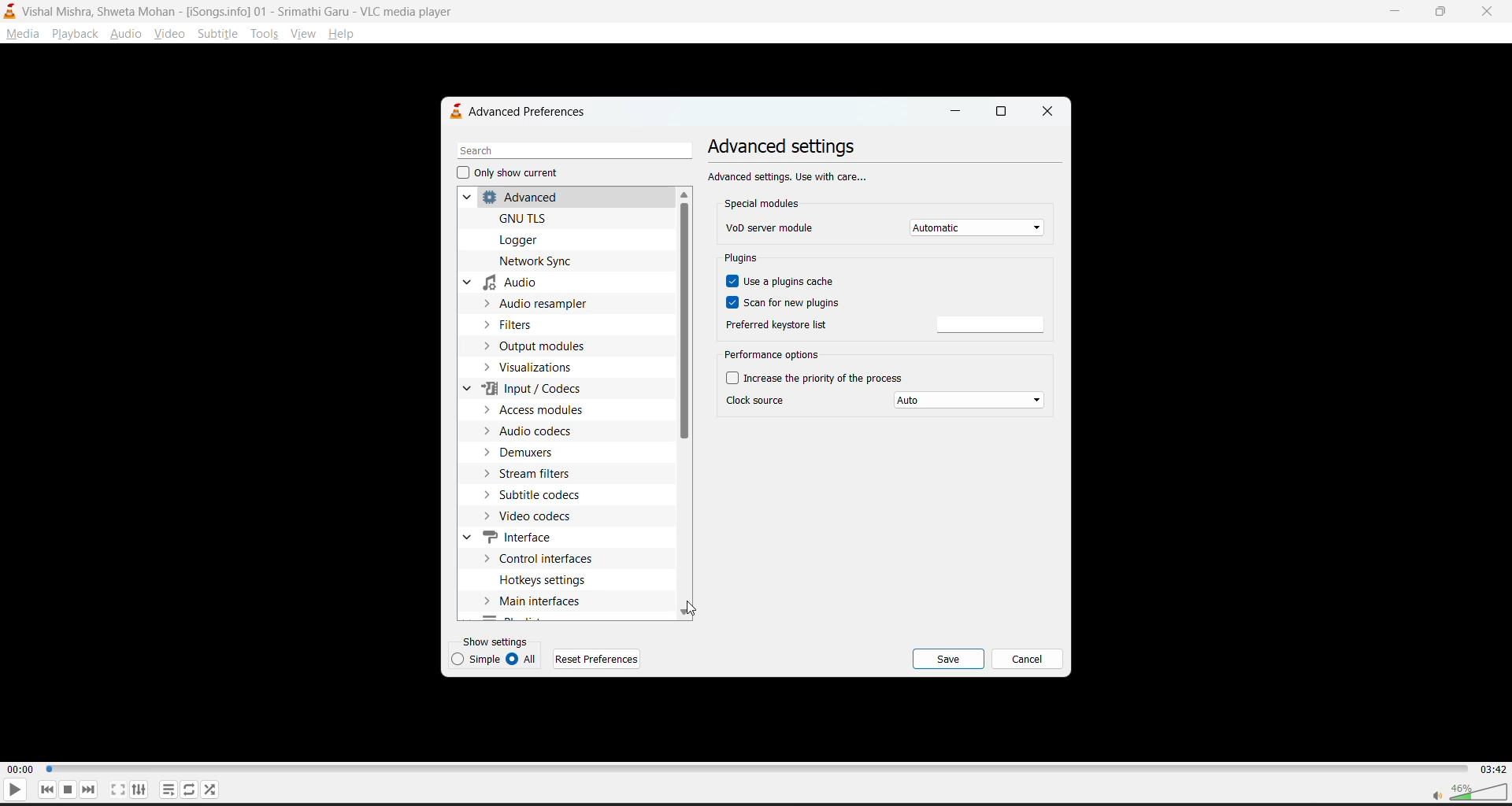 This screenshot has width=1512, height=806. Describe the element at coordinates (541, 495) in the screenshot. I see `subtitle codecs` at that location.